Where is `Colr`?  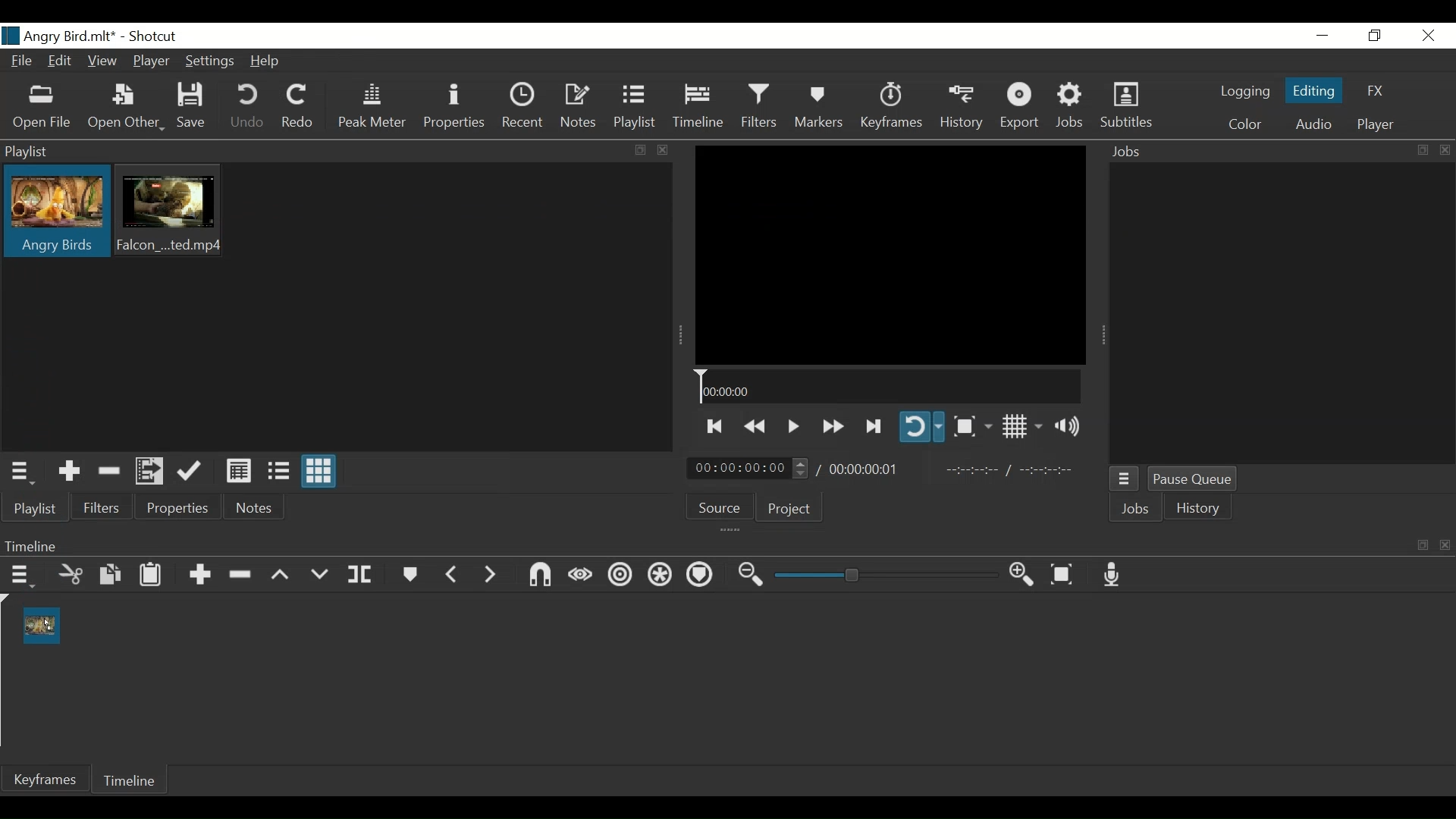 Colr is located at coordinates (1244, 124).